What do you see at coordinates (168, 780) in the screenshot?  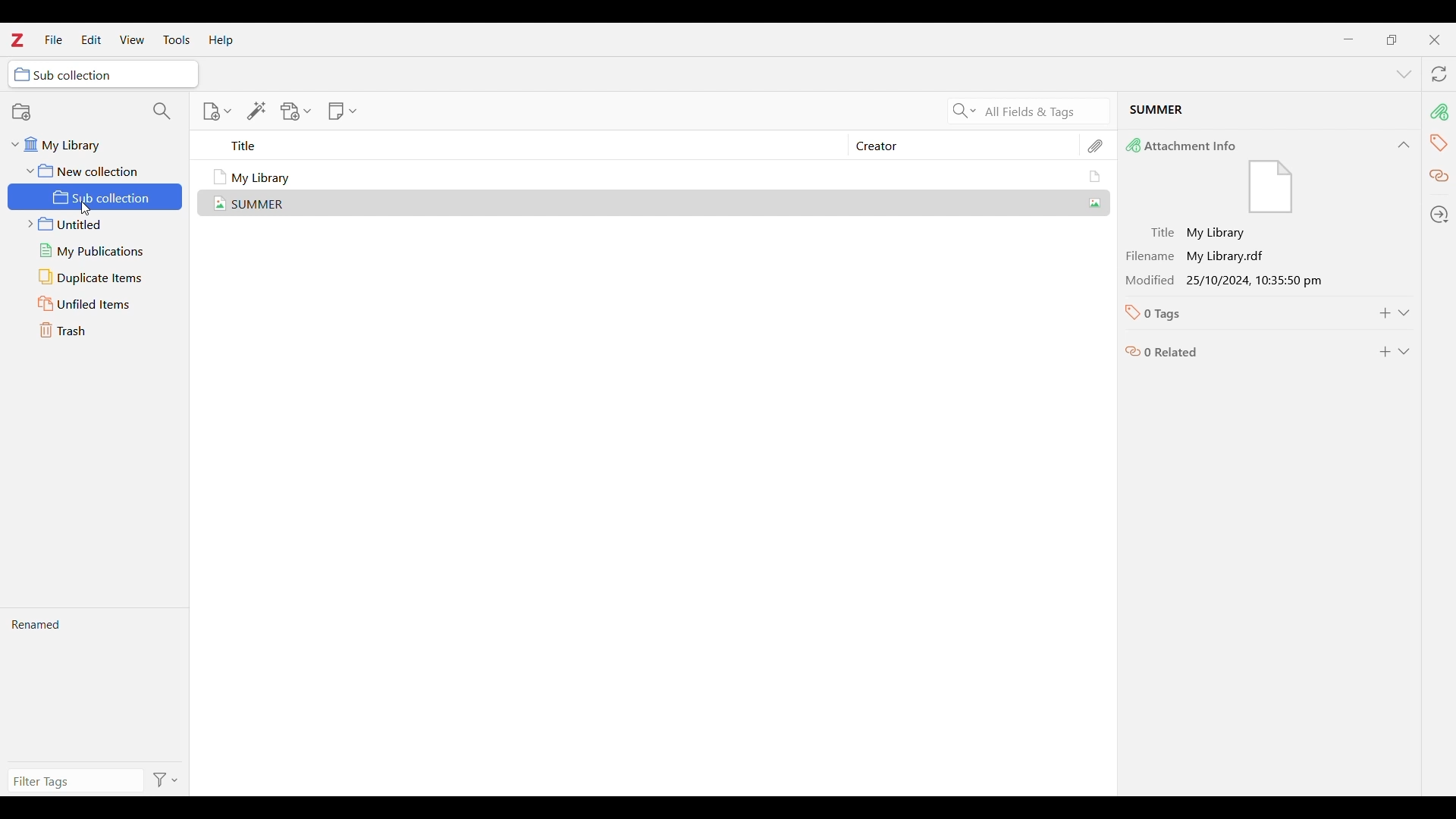 I see `Filter` at bounding box center [168, 780].